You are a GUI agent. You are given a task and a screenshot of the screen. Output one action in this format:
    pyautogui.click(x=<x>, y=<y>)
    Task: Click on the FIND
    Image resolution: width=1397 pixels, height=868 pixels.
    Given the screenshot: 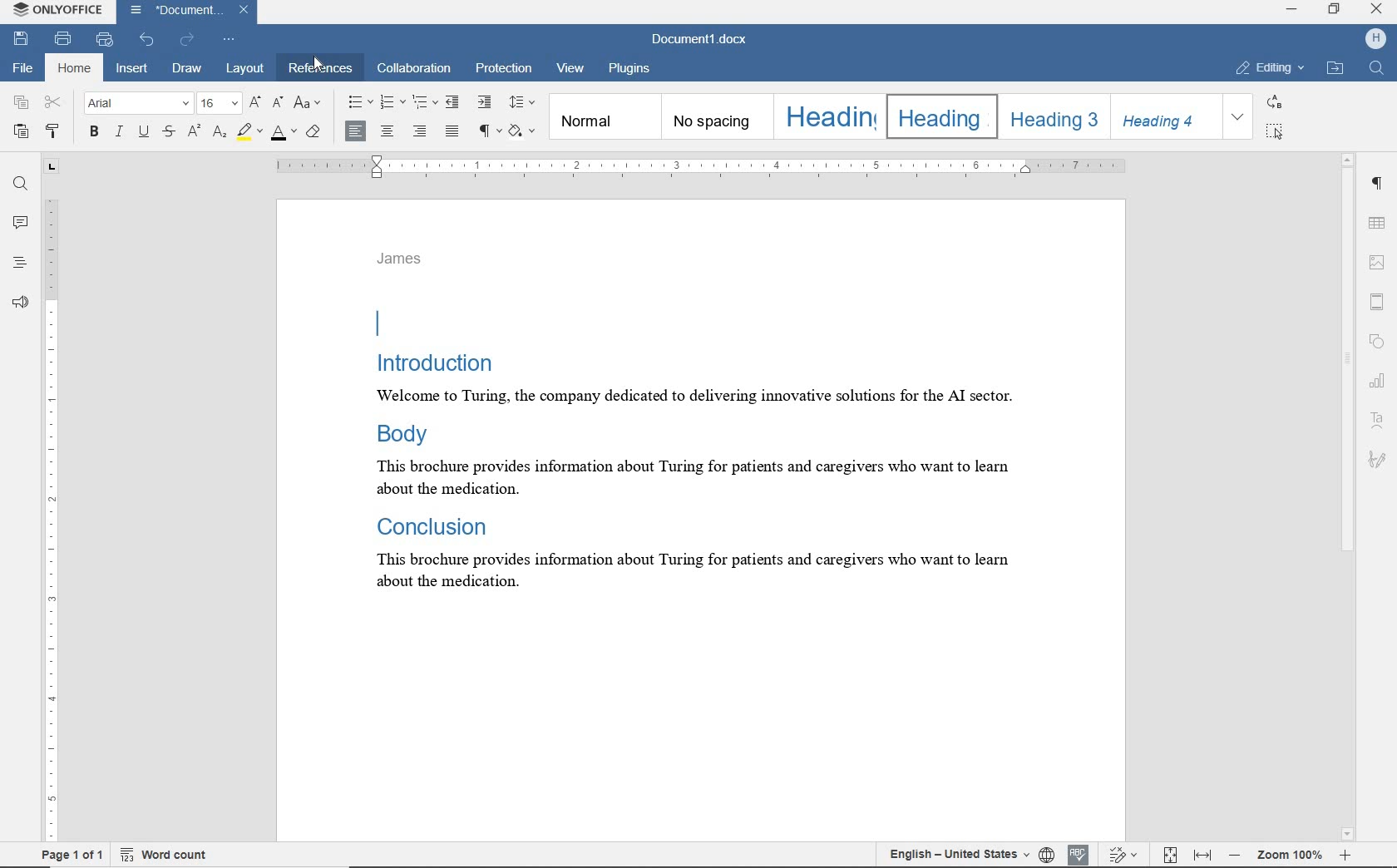 What is the action you would take?
    pyautogui.click(x=1376, y=69)
    